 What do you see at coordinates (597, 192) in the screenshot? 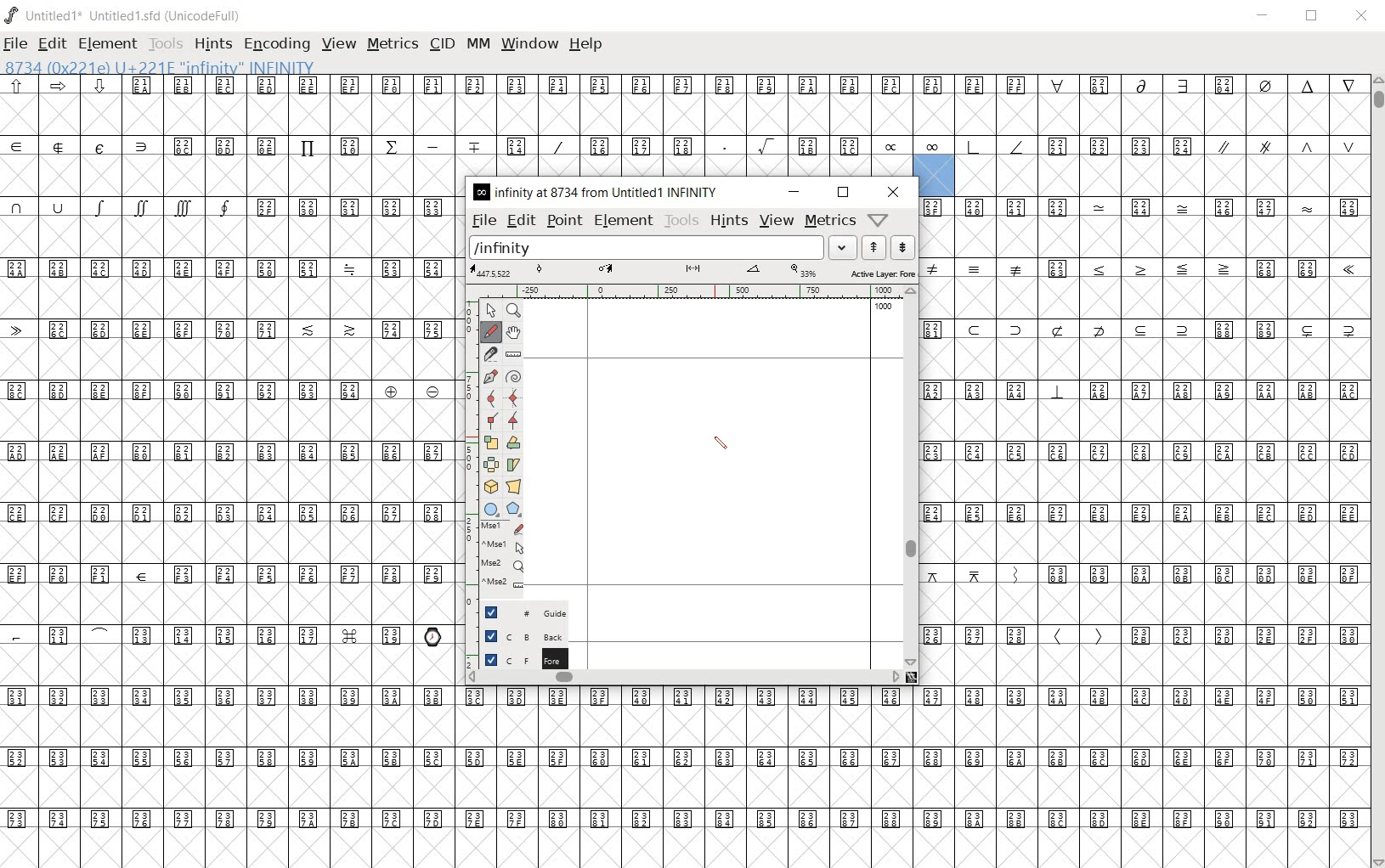
I see `INFINITY AT 8734 FROM UNTITLED1 INFINITY` at bounding box center [597, 192].